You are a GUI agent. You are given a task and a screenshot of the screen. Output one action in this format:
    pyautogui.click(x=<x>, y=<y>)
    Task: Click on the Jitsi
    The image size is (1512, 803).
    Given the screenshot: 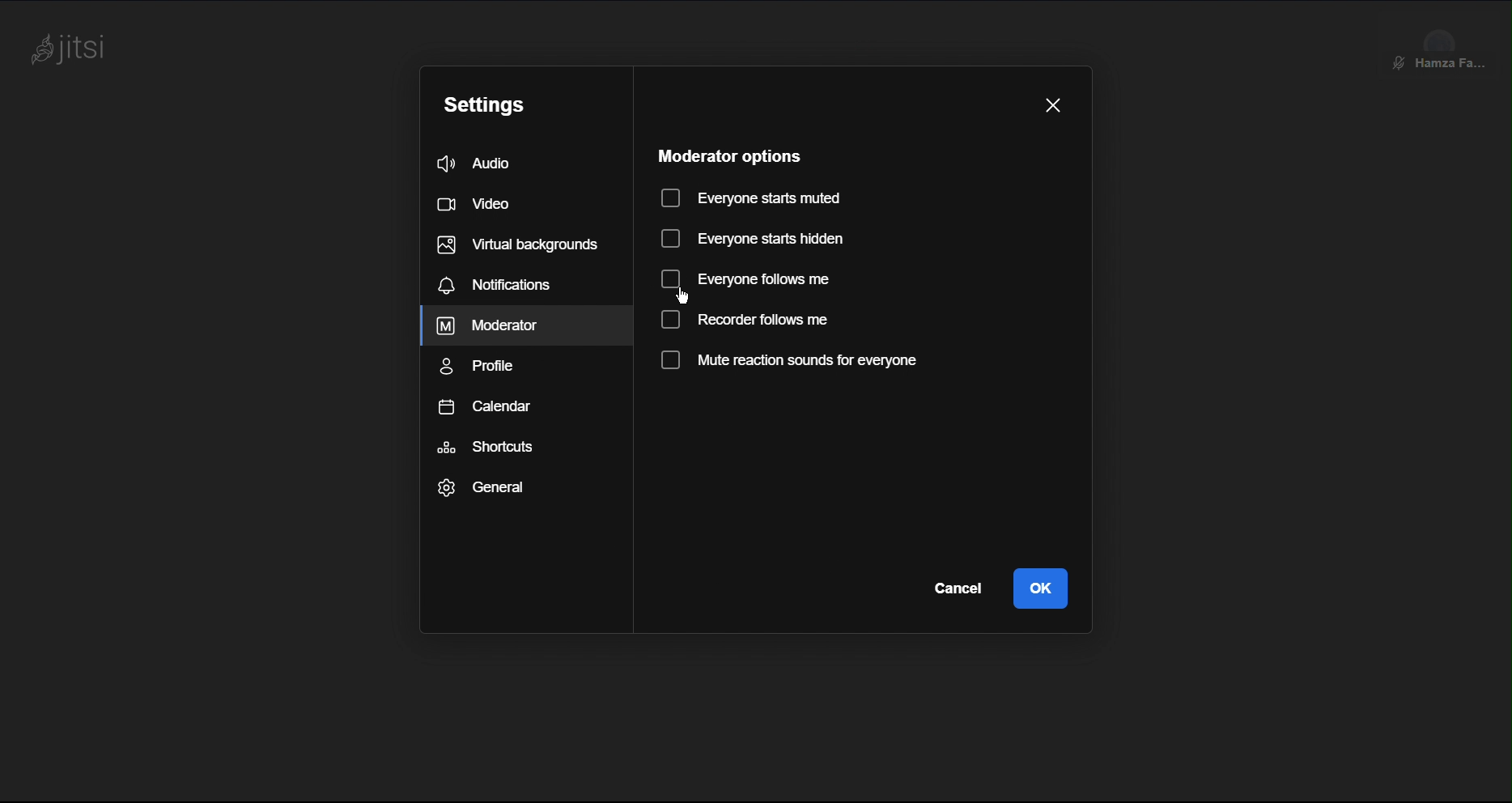 What is the action you would take?
    pyautogui.click(x=75, y=49)
    